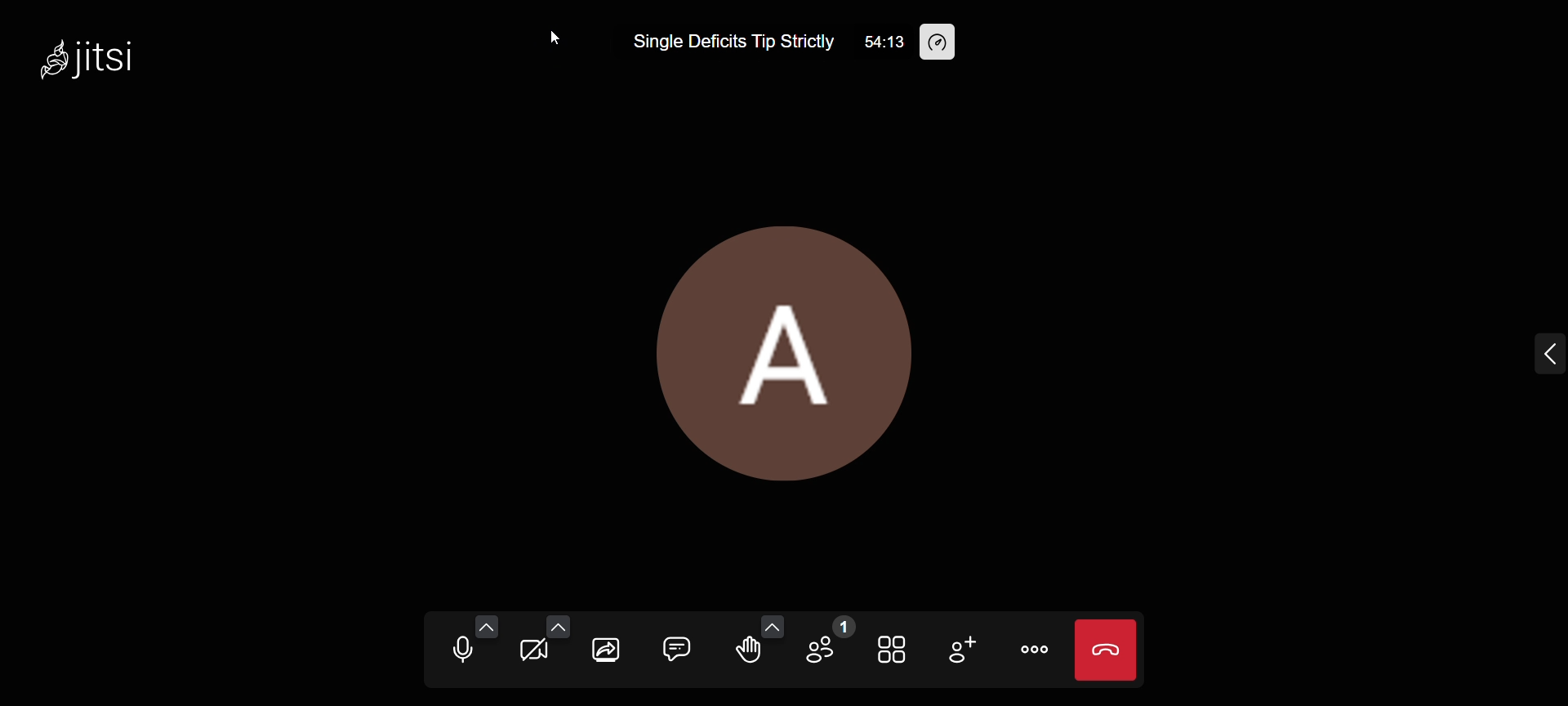  Describe the element at coordinates (773, 626) in the screenshot. I see `more emojis` at that location.